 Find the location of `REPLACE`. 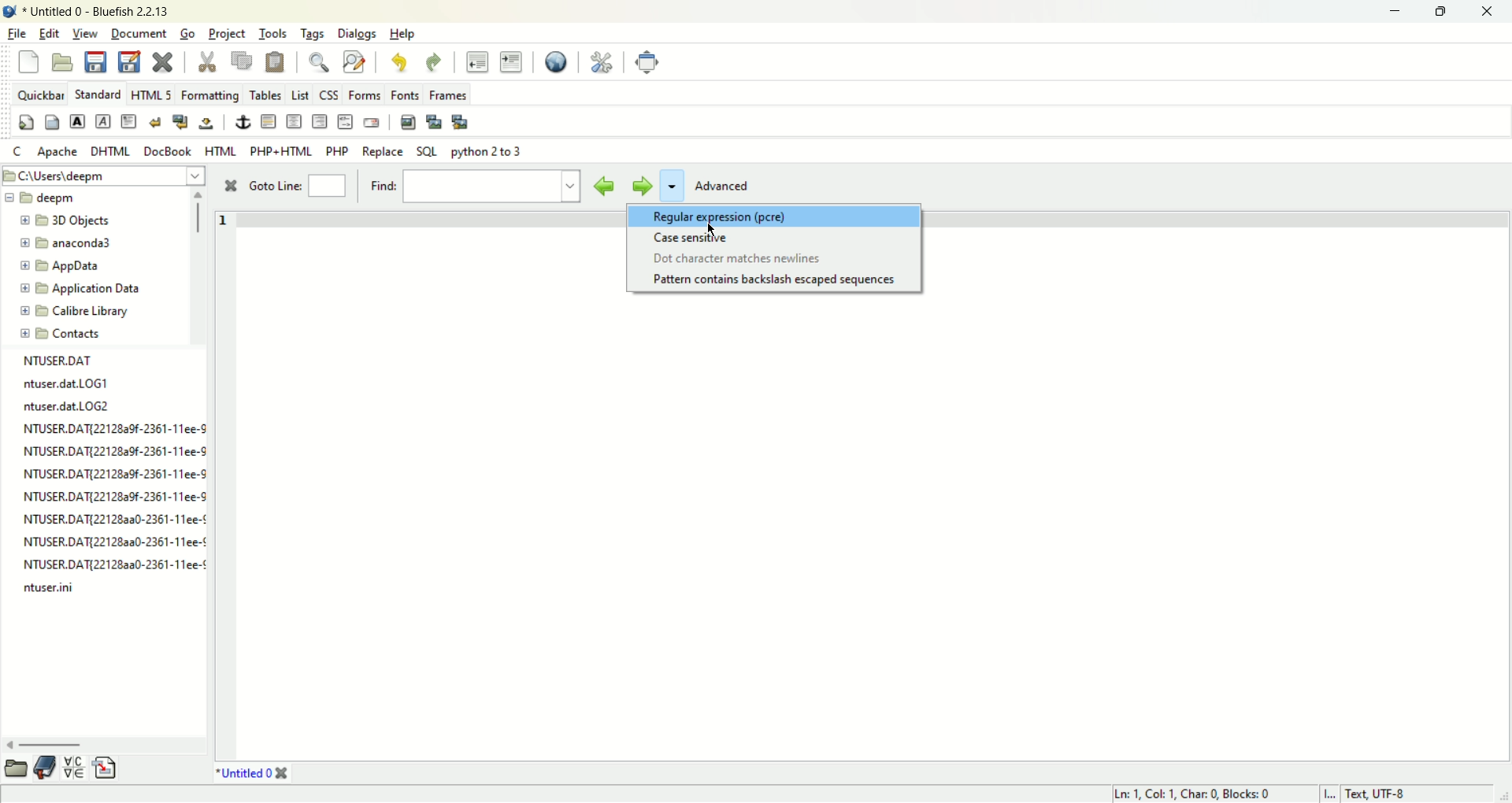

REPLACE is located at coordinates (384, 152).